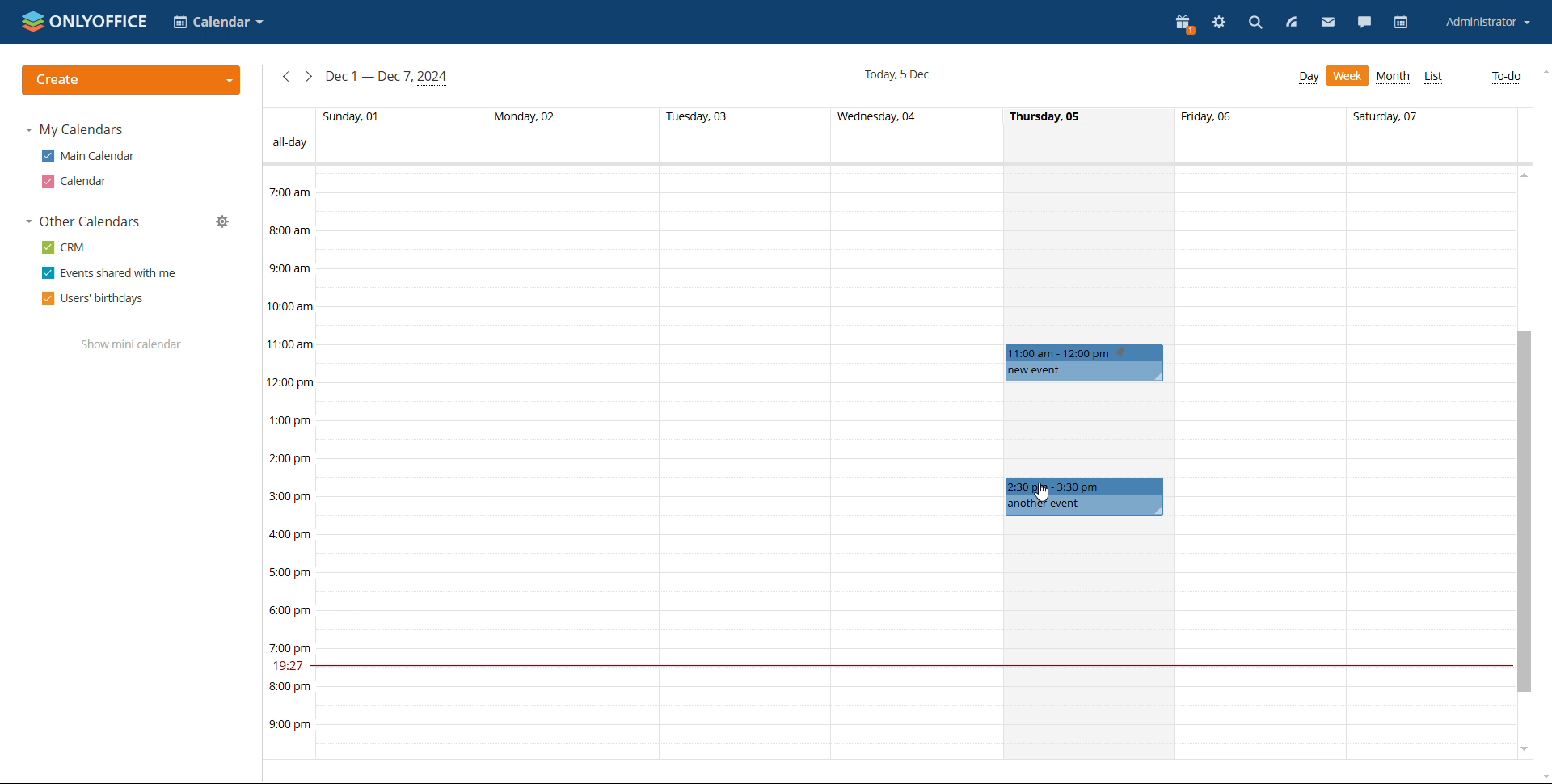 The image size is (1552, 784). I want to click on mail, so click(1329, 24).